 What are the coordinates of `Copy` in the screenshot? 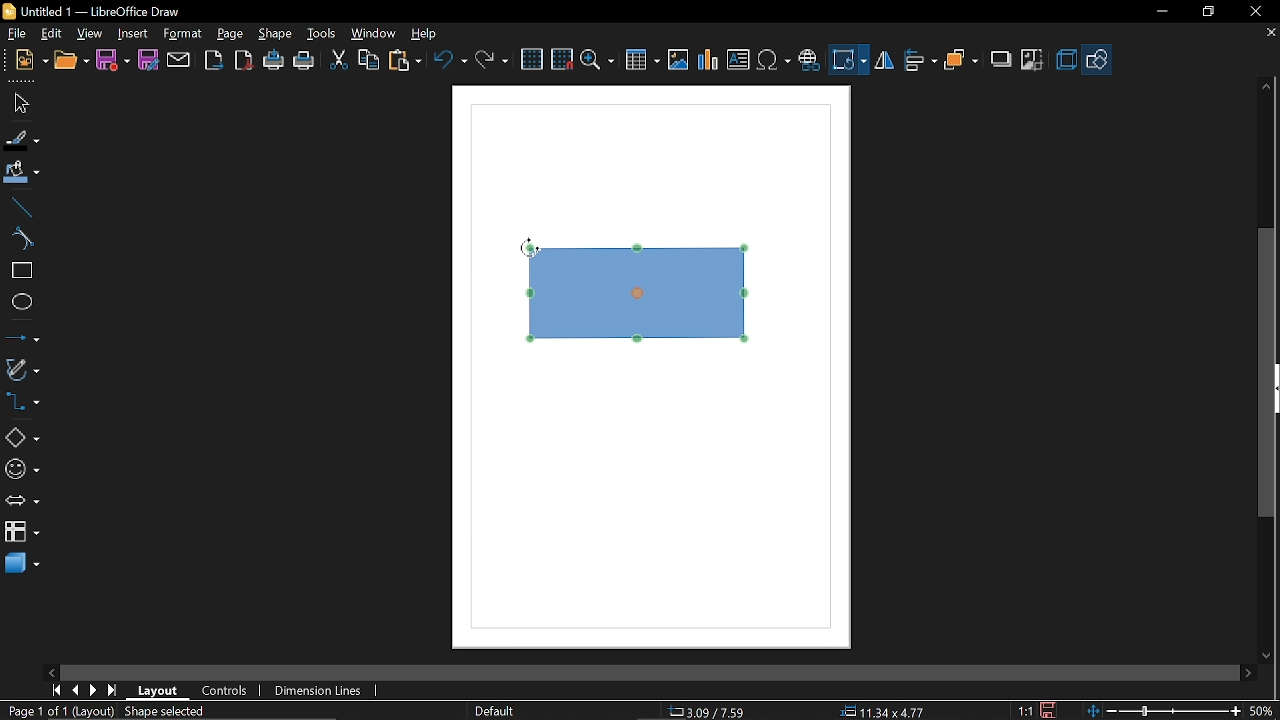 It's located at (368, 59).